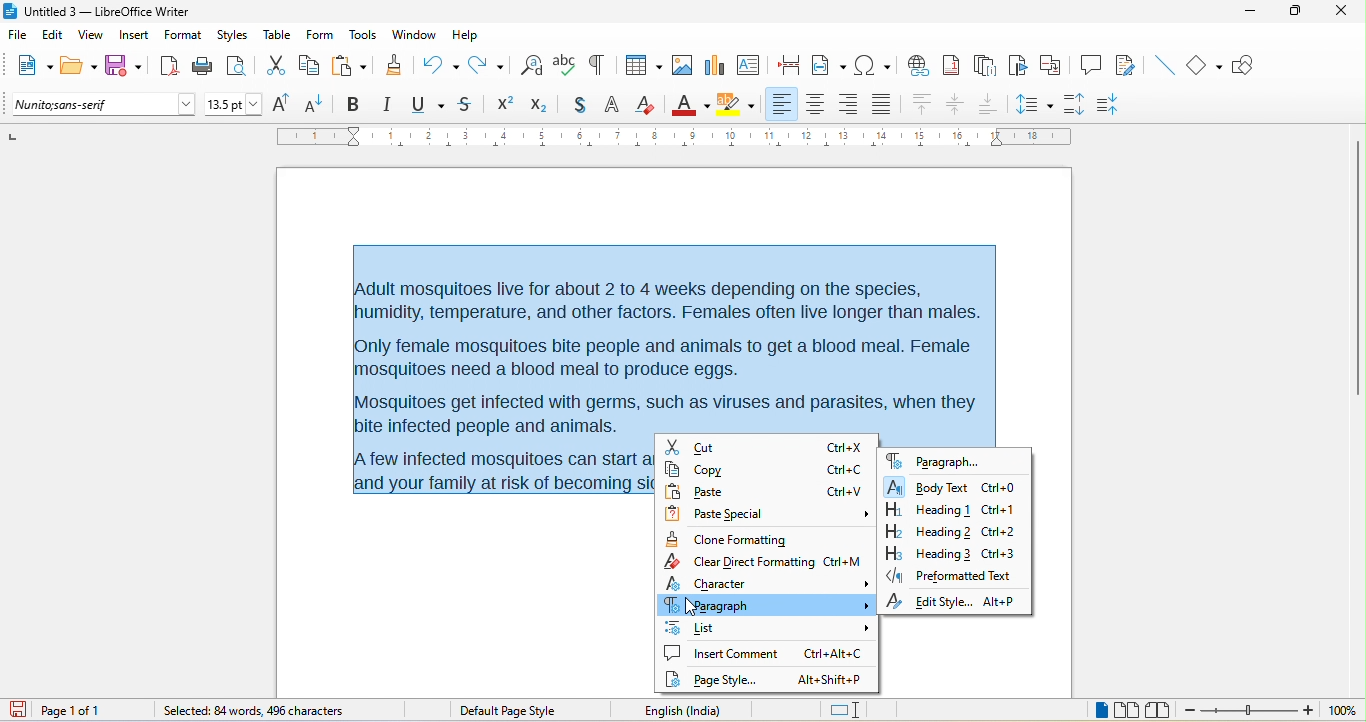 The width and height of the screenshot is (1366, 722). What do you see at coordinates (985, 66) in the screenshot?
I see `endnote` at bounding box center [985, 66].